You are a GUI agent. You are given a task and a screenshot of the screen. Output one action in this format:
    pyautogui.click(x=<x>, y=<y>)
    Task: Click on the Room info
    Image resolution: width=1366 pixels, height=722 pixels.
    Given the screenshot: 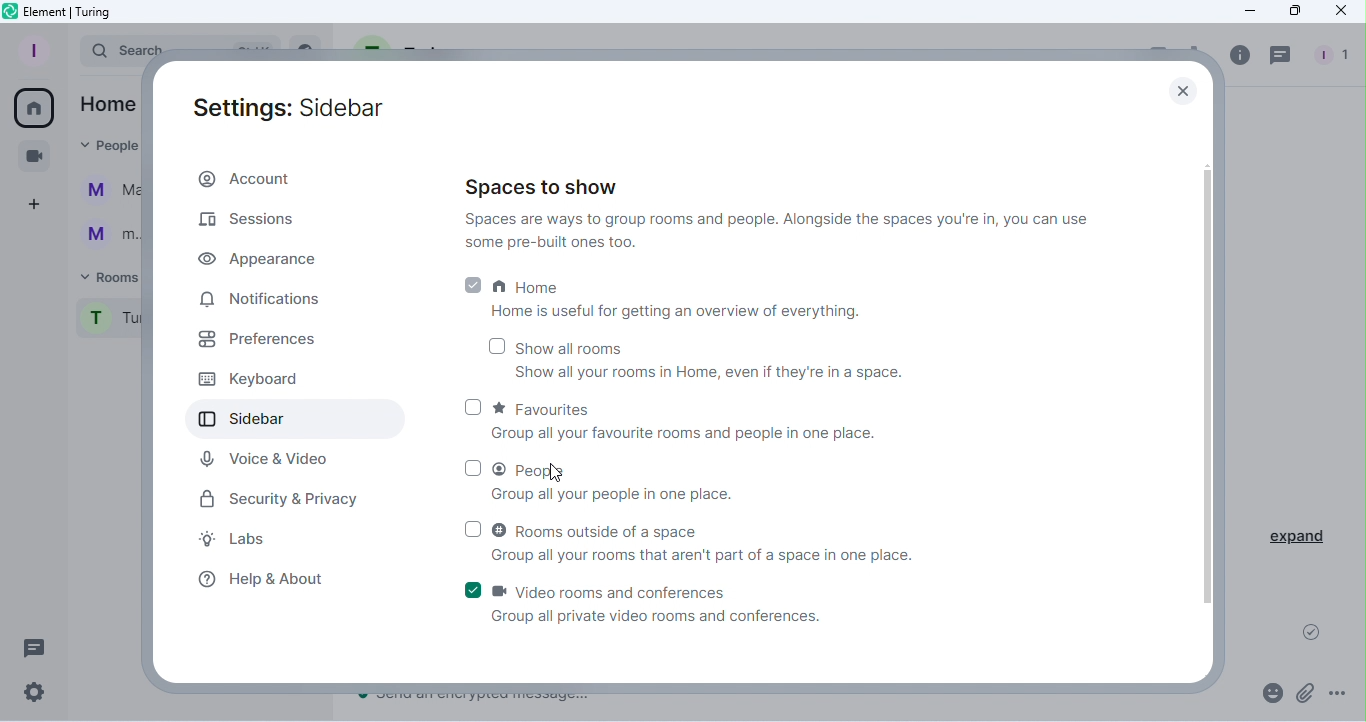 What is the action you would take?
    pyautogui.click(x=1239, y=58)
    